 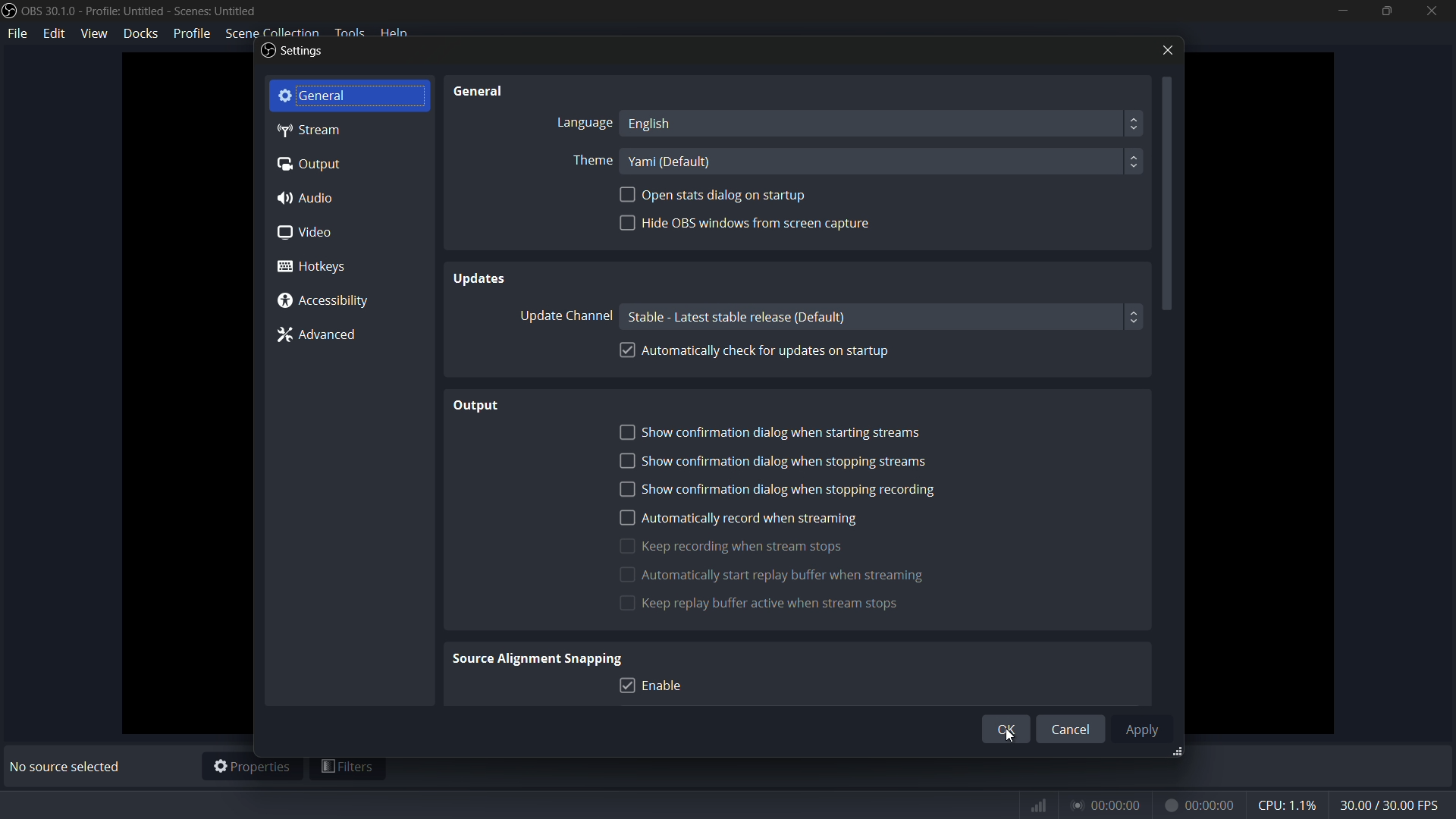 What do you see at coordinates (64, 768) in the screenshot?
I see `No source selected` at bounding box center [64, 768].